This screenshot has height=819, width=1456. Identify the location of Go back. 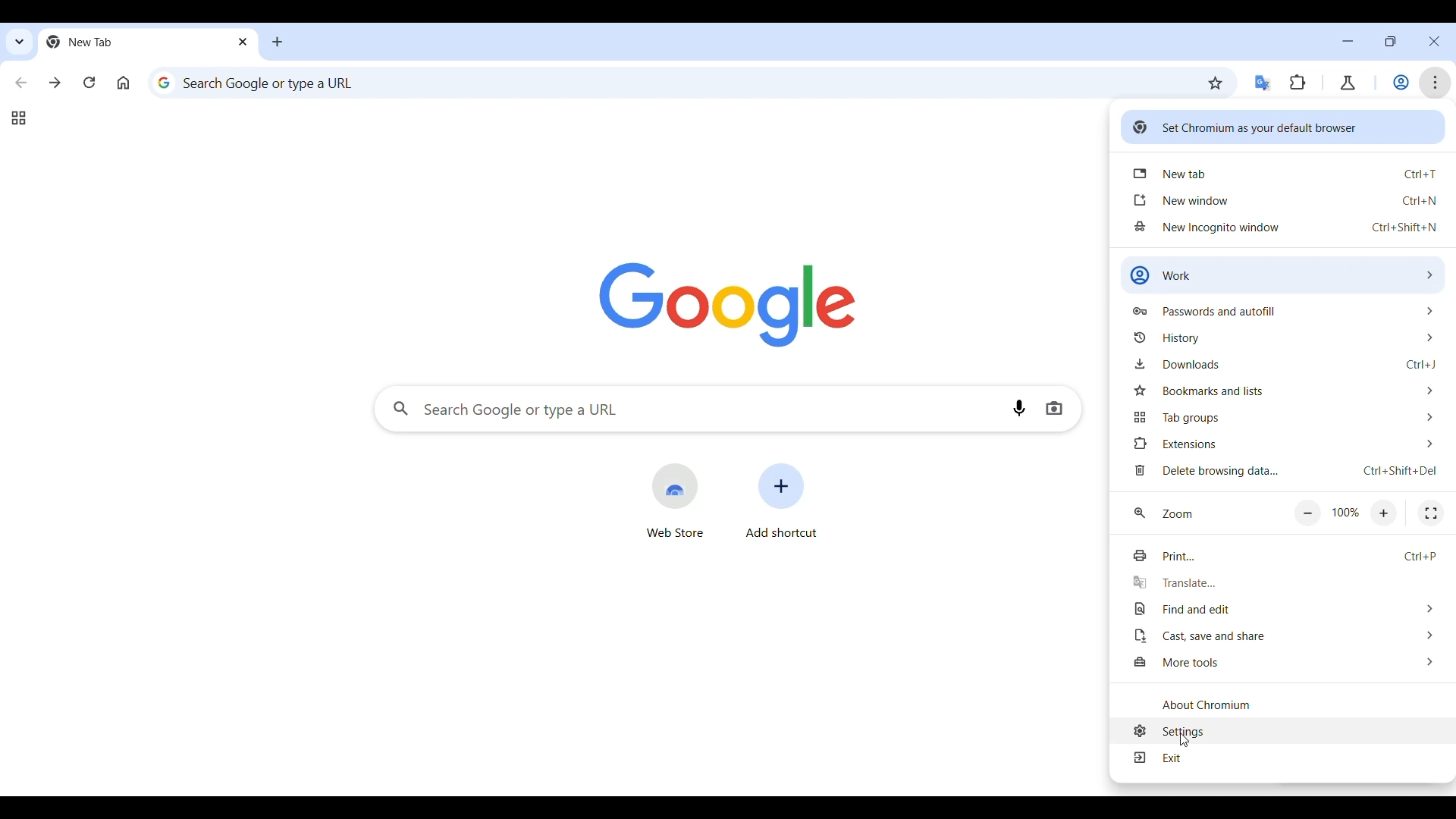
(22, 83).